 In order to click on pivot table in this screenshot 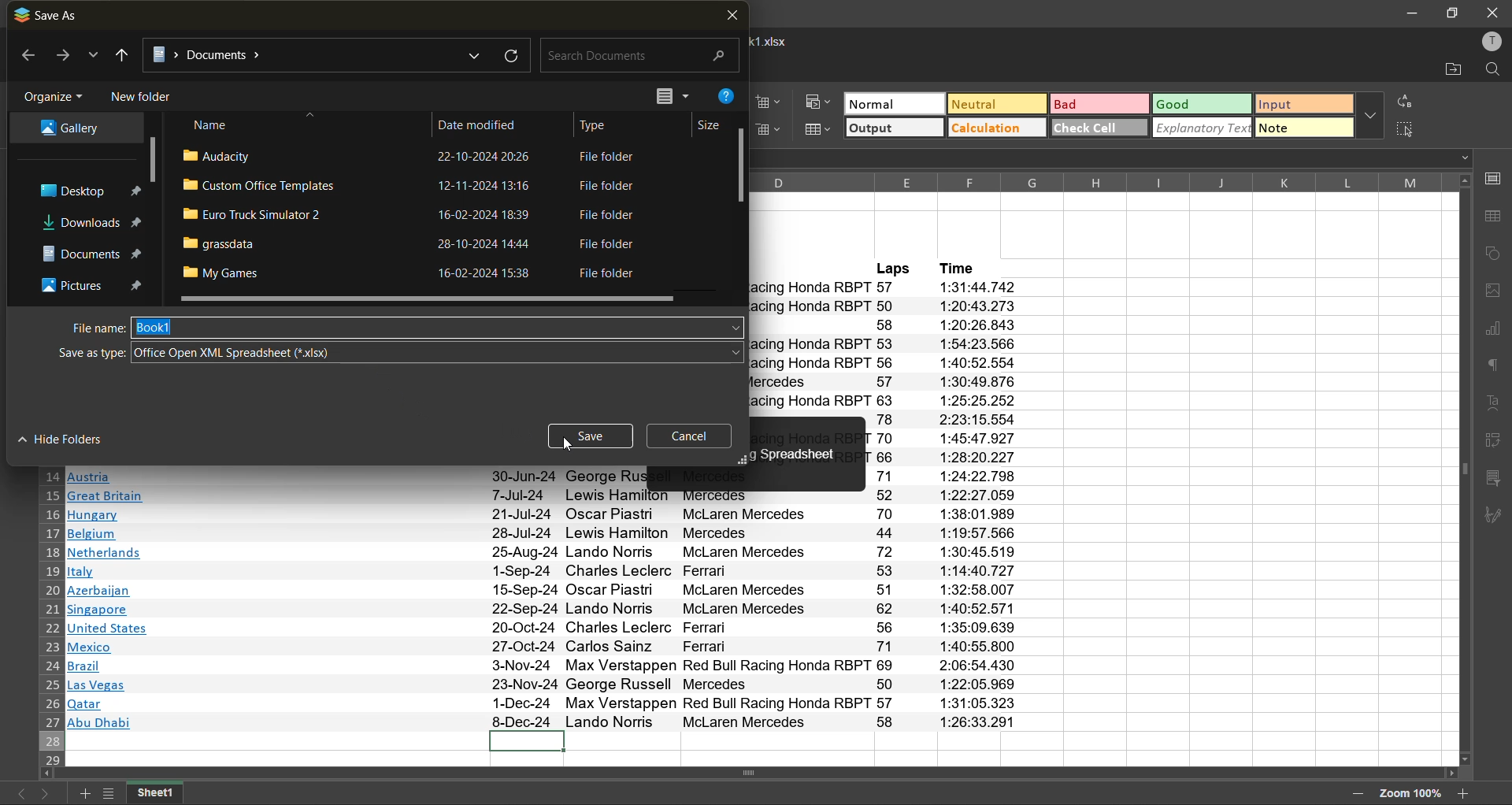, I will do `click(1498, 442)`.